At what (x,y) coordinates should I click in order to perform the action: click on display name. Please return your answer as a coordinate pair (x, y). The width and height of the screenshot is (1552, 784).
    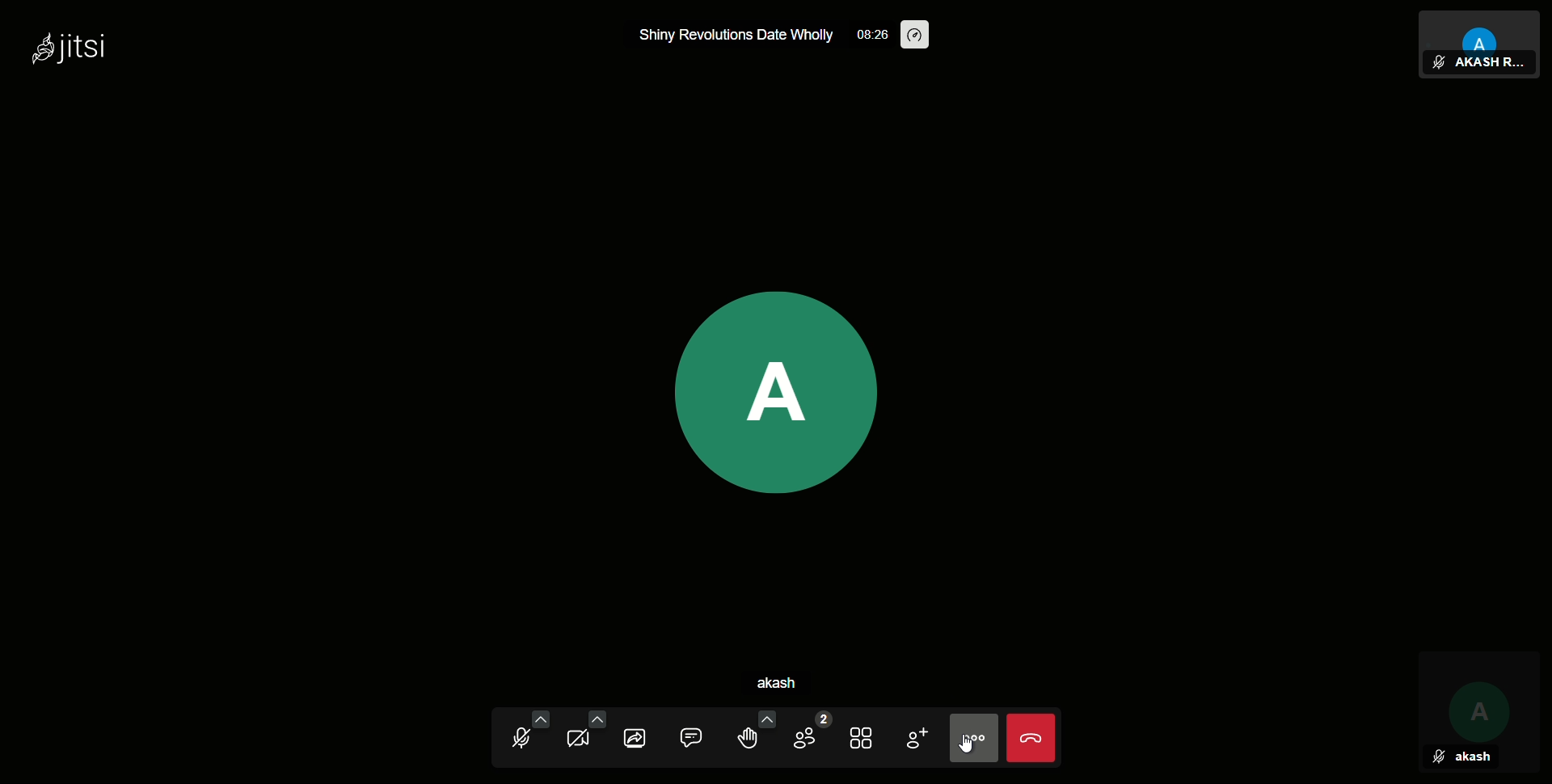
    Looking at the image, I should click on (794, 683).